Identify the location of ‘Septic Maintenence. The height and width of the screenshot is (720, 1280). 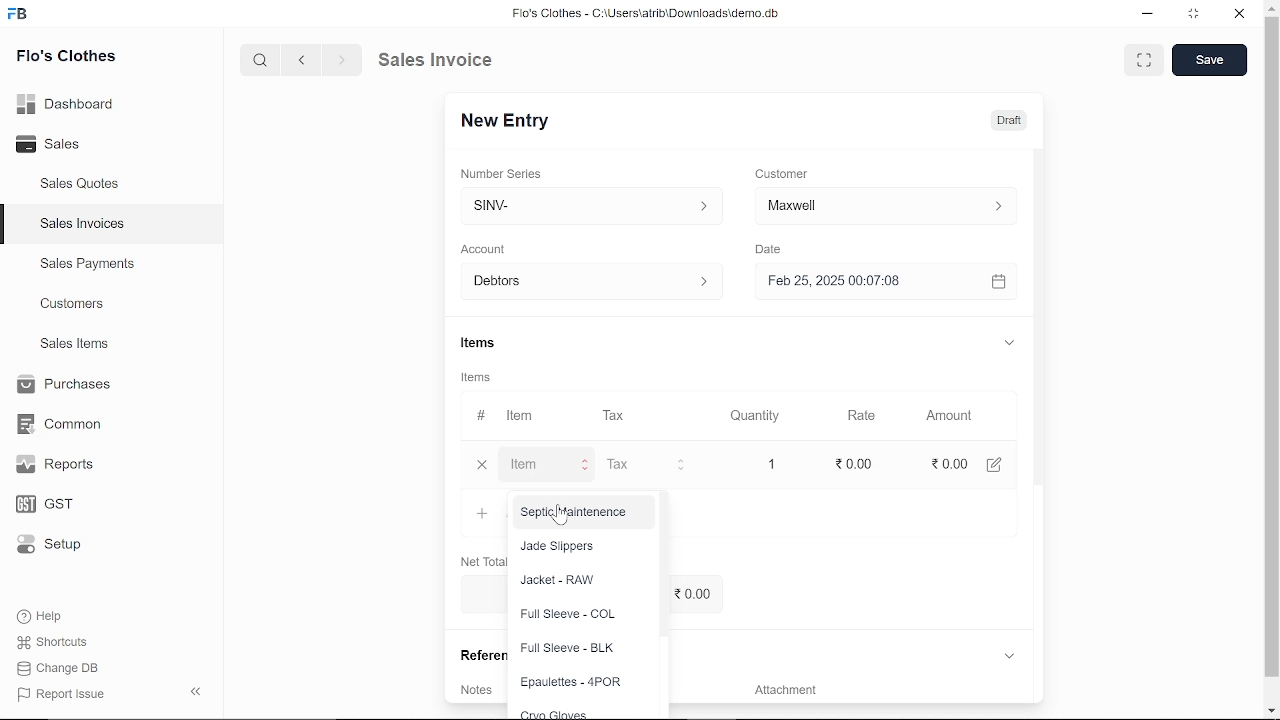
(574, 512).